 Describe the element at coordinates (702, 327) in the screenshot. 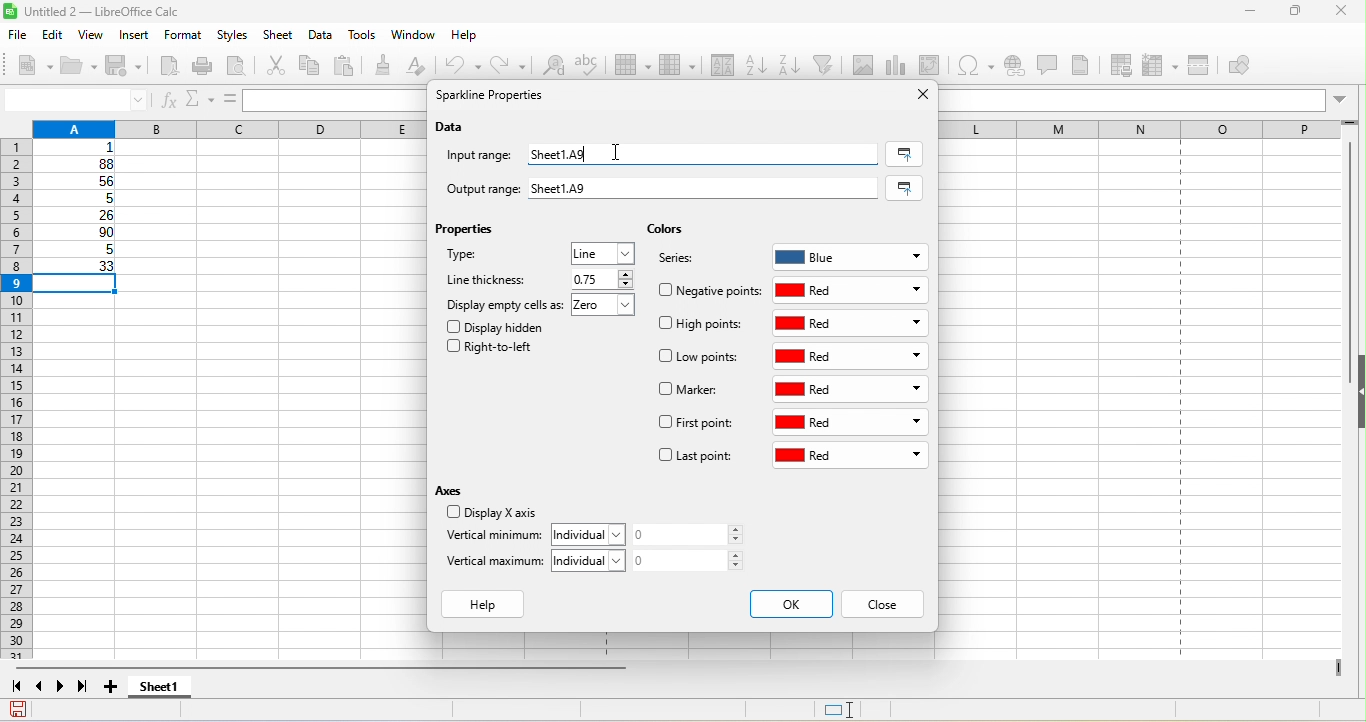

I see `high points` at that location.